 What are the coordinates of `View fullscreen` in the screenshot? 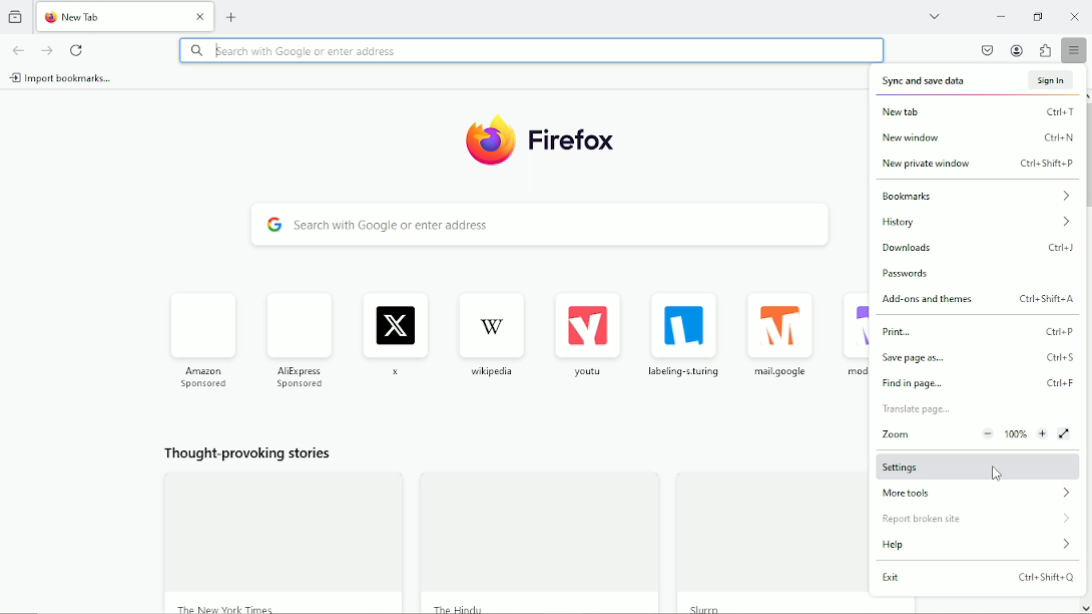 It's located at (1066, 432).